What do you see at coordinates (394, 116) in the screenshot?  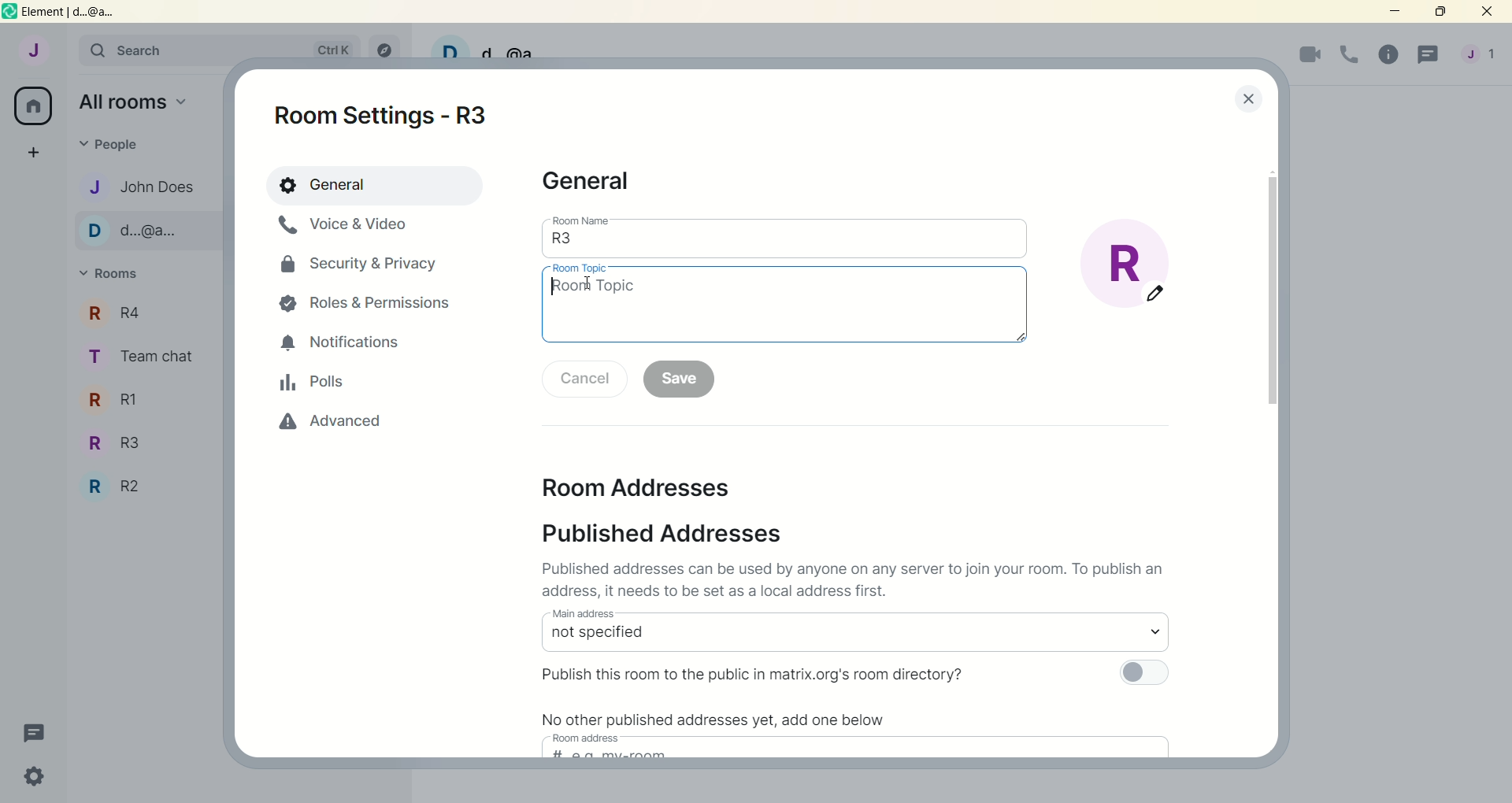 I see `room settings -R3` at bounding box center [394, 116].